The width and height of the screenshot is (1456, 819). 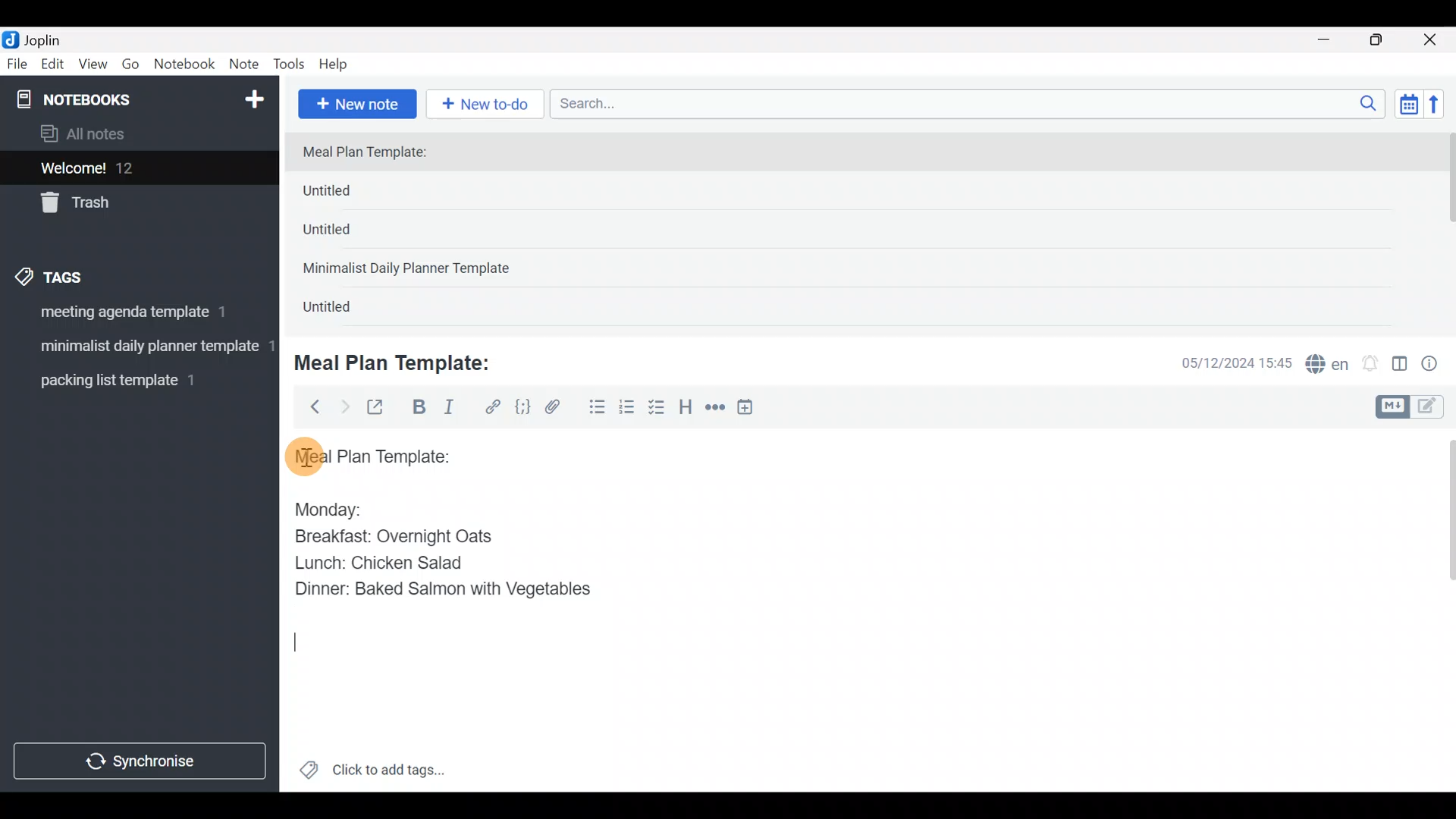 What do you see at coordinates (339, 61) in the screenshot?
I see `Help` at bounding box center [339, 61].